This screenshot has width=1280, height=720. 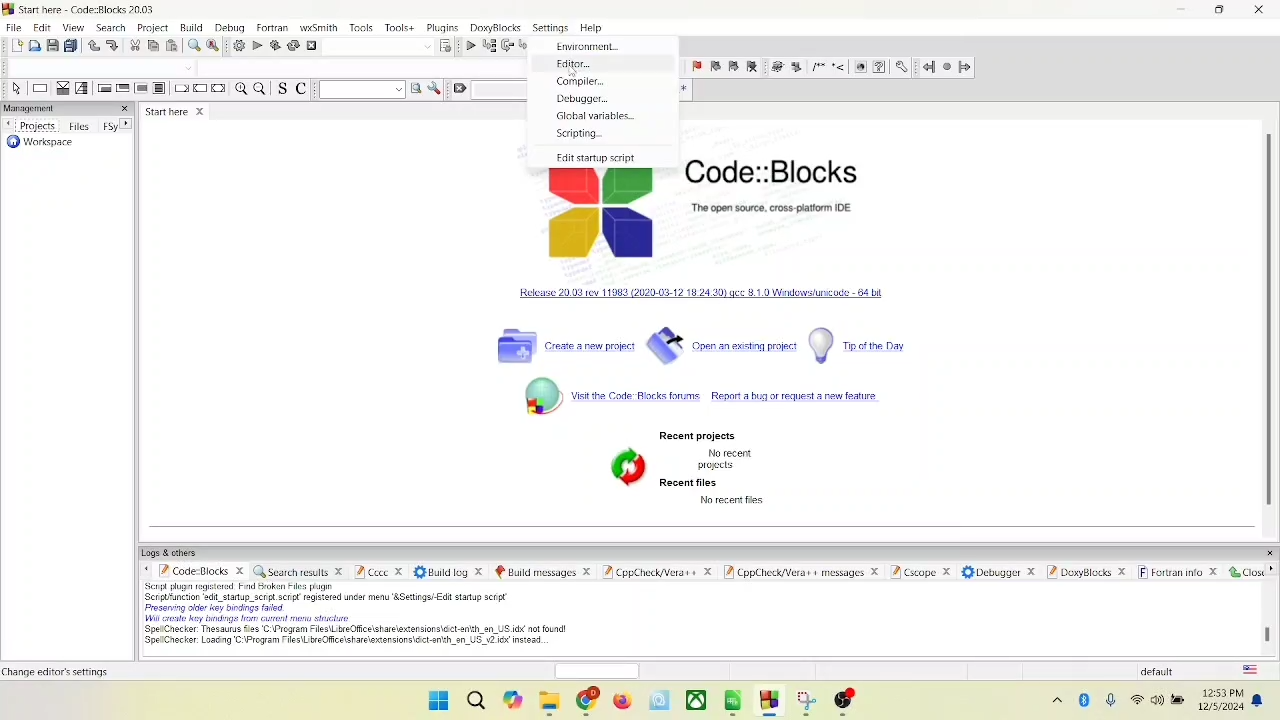 What do you see at coordinates (598, 115) in the screenshot?
I see `global variables` at bounding box center [598, 115].